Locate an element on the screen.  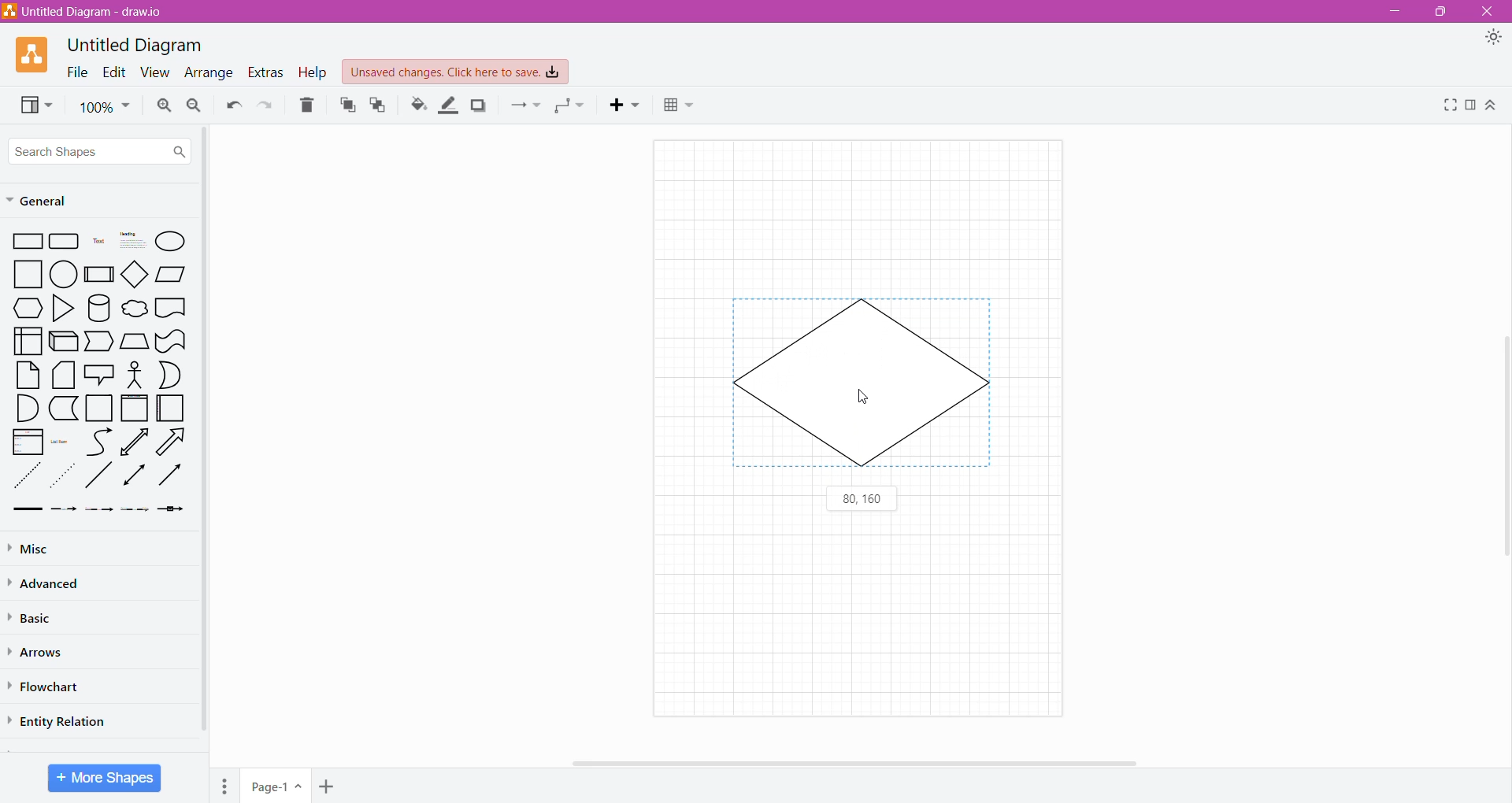
Connector with 3 Labels is located at coordinates (137, 511).